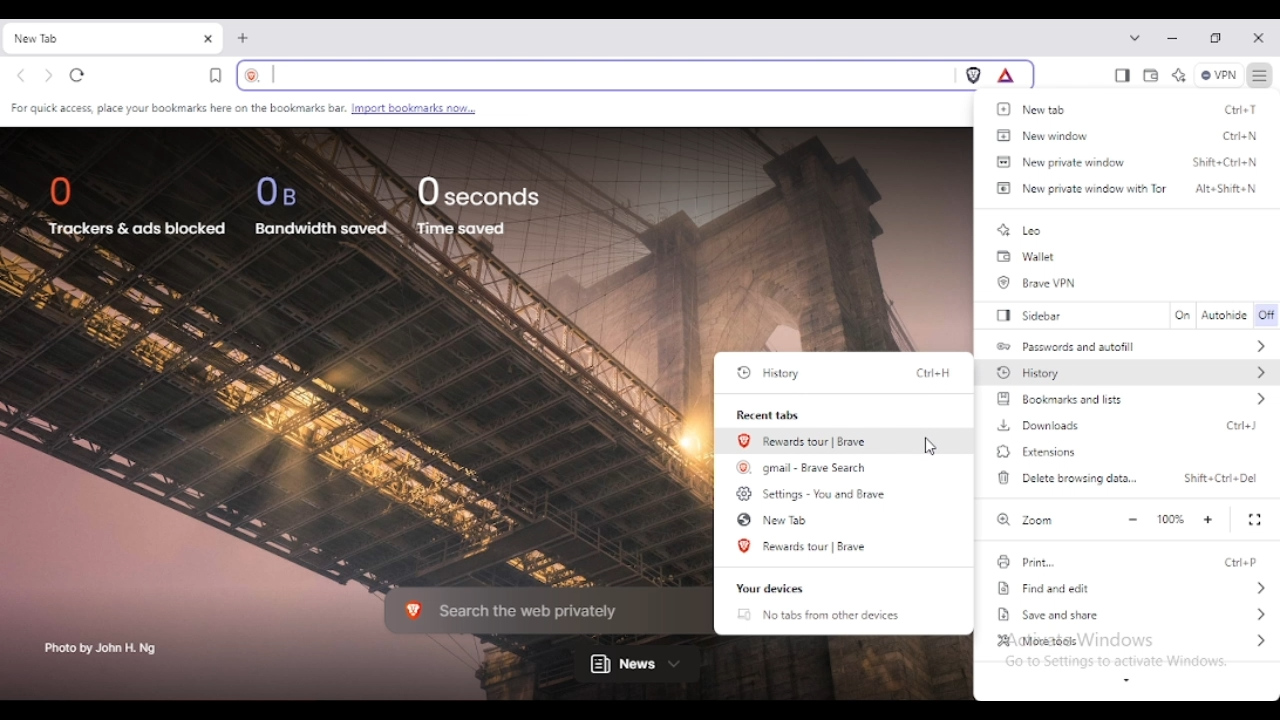  I want to click on recent tabs, so click(770, 415).